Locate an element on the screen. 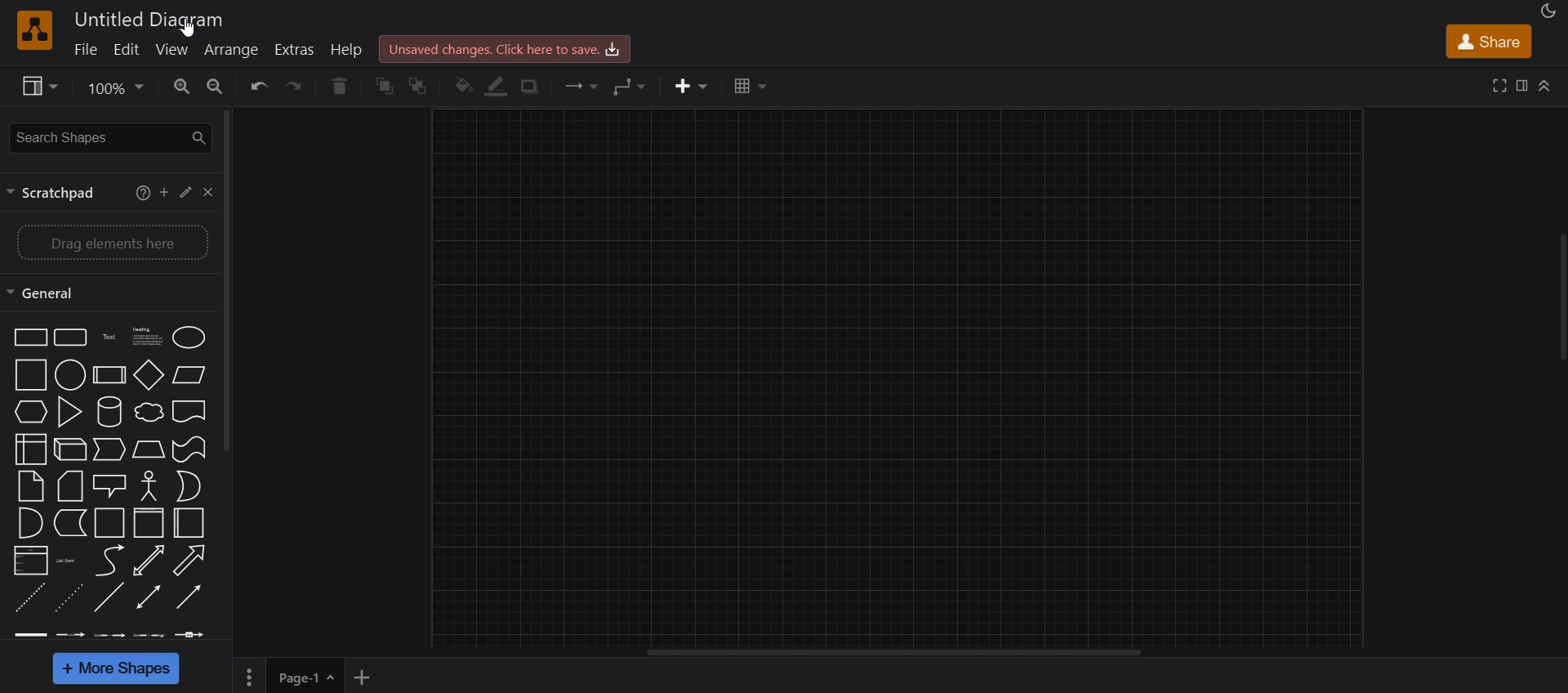  redo is located at coordinates (296, 87).